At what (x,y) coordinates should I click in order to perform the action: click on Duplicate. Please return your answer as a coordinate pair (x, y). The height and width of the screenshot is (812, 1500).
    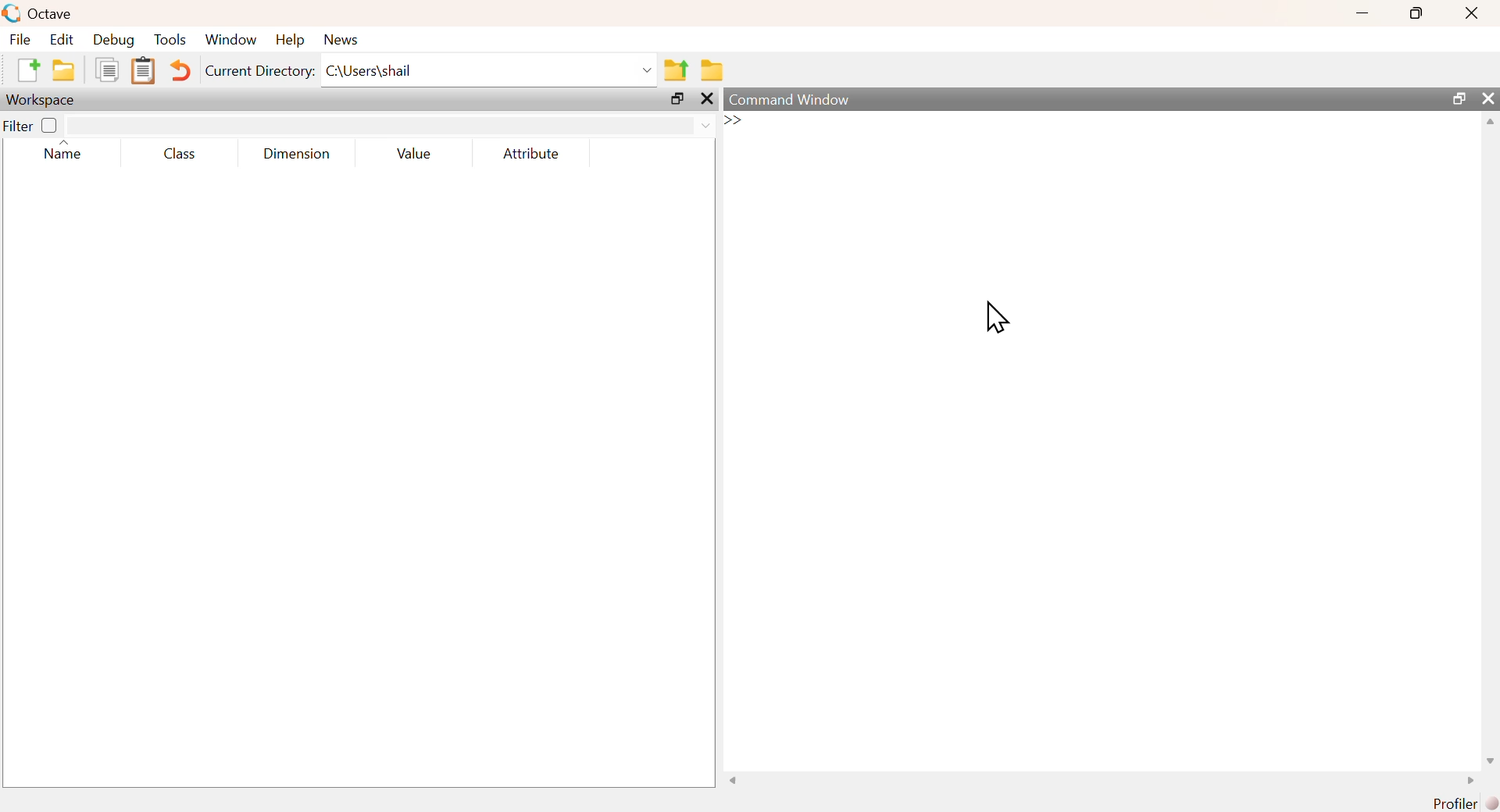
    Looking at the image, I should click on (106, 69).